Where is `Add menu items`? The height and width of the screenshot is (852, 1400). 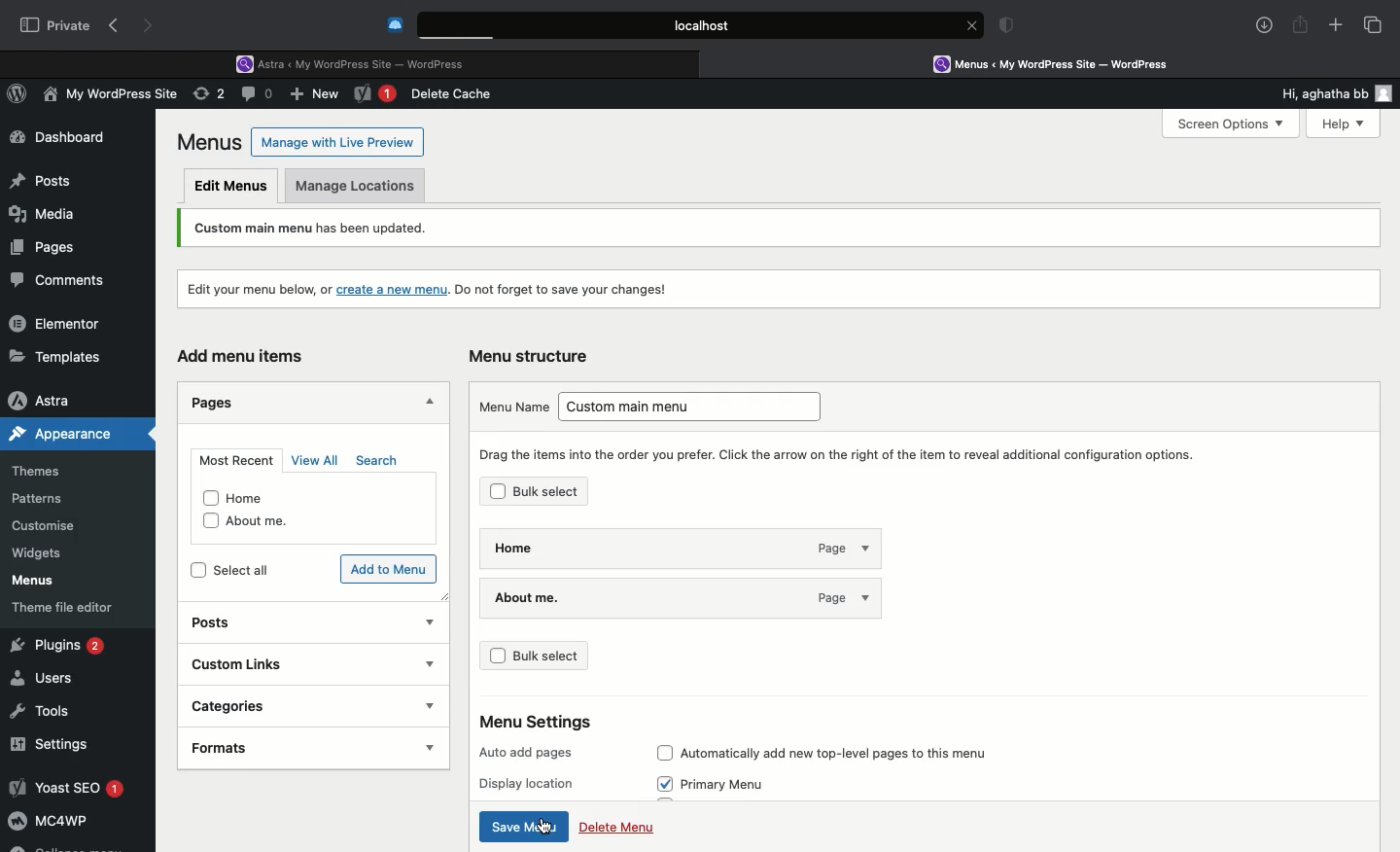
Add menu items is located at coordinates (240, 359).